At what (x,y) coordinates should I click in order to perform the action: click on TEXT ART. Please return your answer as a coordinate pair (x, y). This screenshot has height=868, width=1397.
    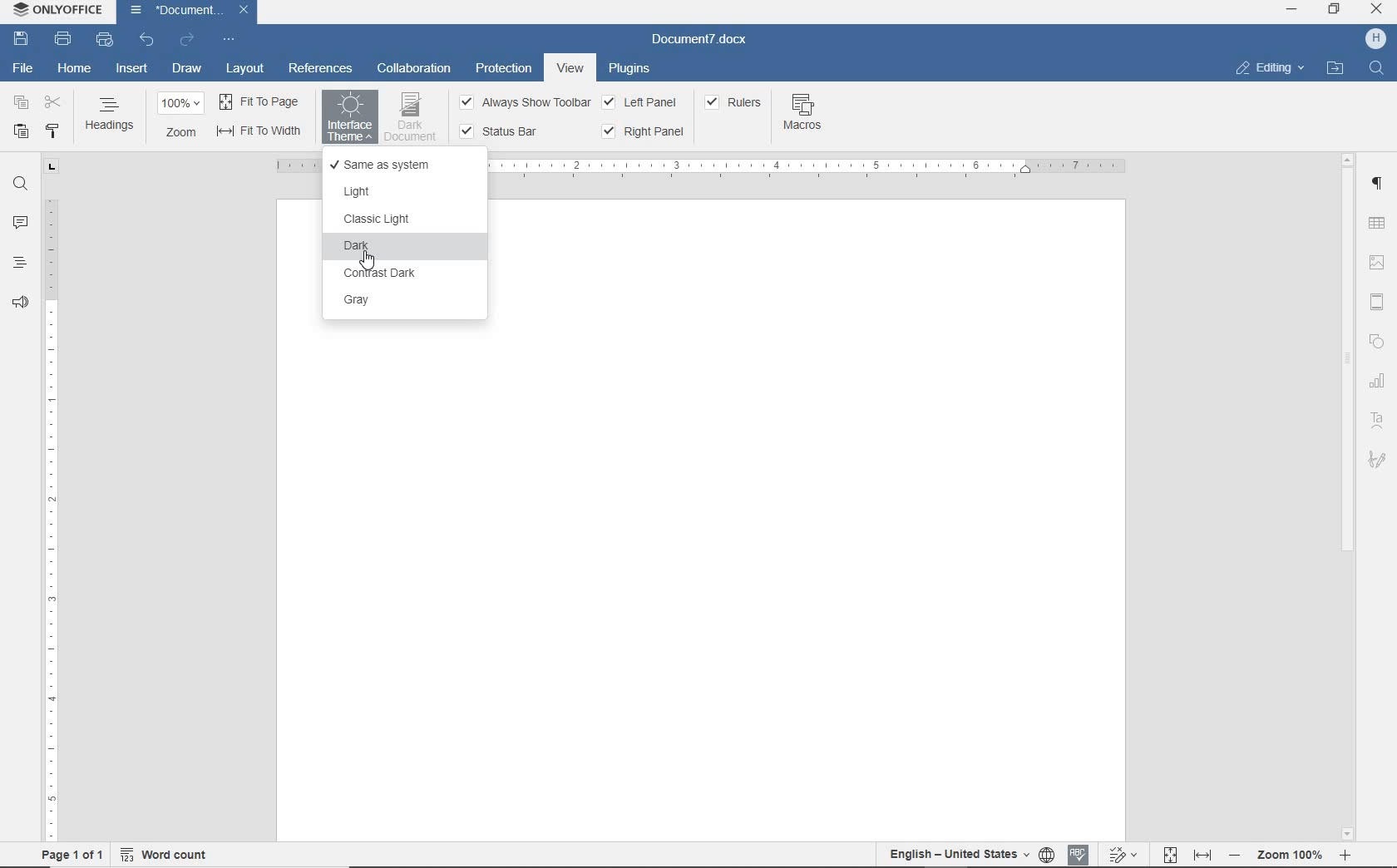
    Looking at the image, I should click on (1378, 421).